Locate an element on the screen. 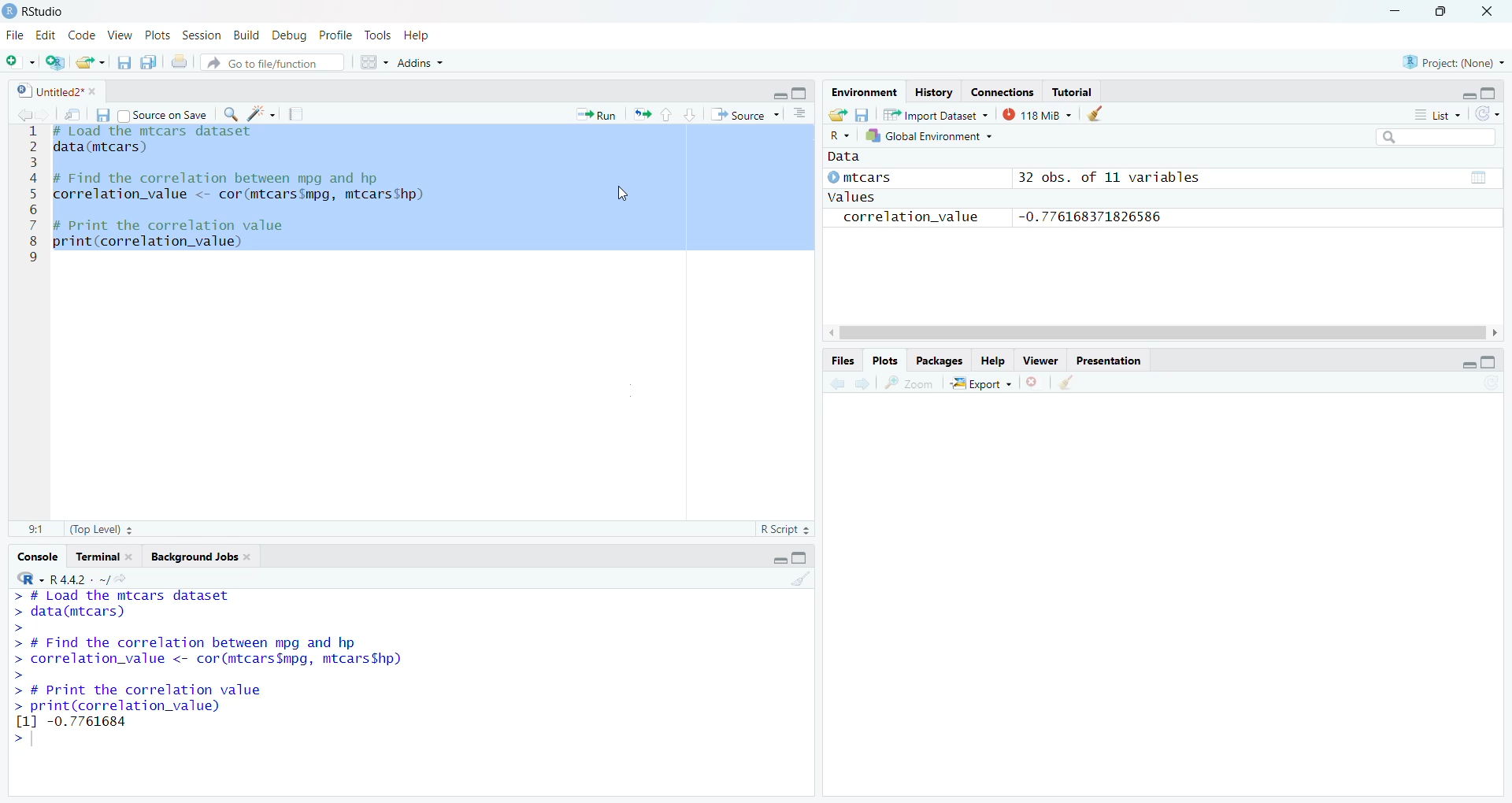 The width and height of the screenshot is (1512, 803). Go back to the previous source location (Ctrl + F9) is located at coordinates (834, 383).